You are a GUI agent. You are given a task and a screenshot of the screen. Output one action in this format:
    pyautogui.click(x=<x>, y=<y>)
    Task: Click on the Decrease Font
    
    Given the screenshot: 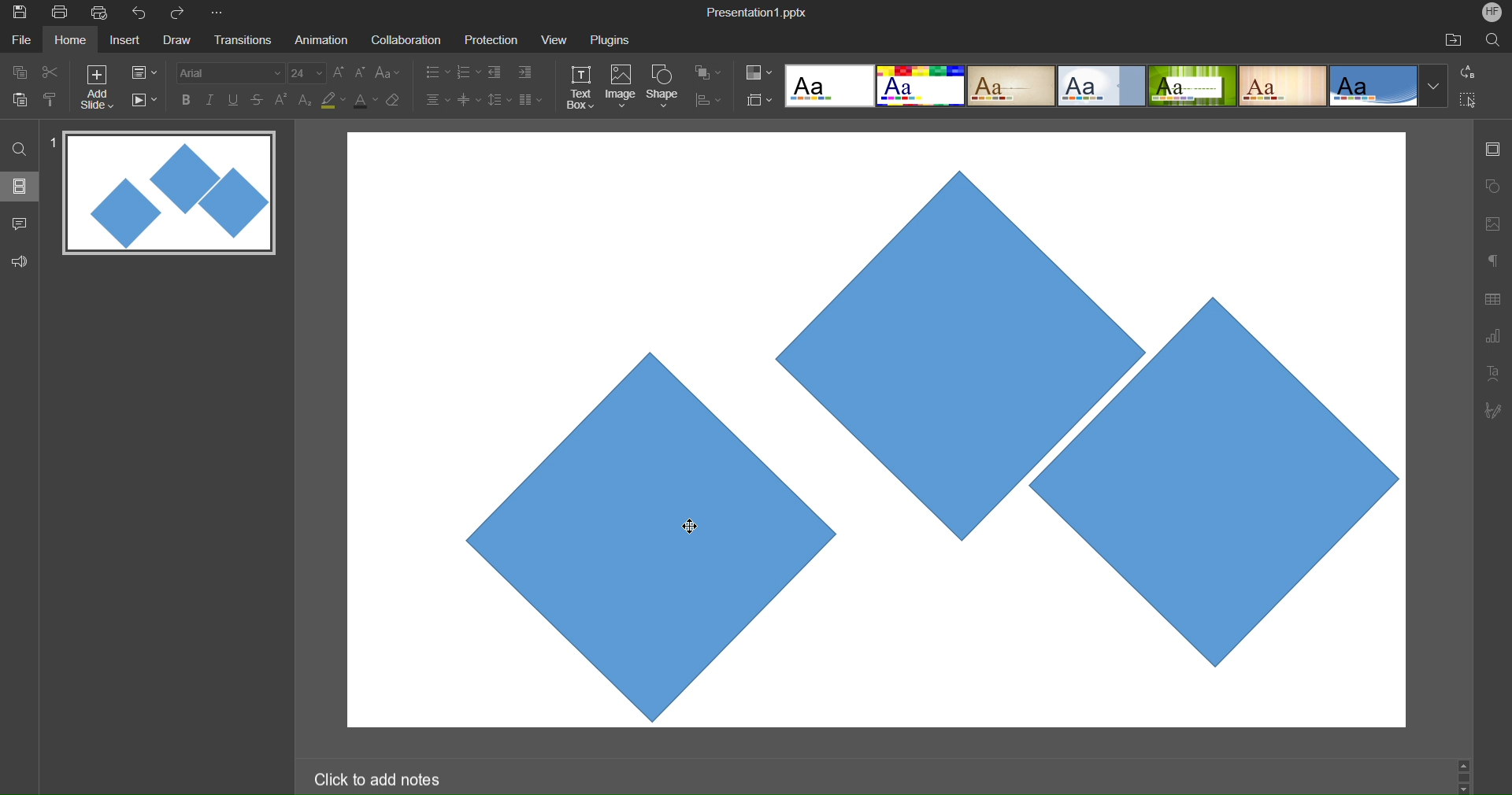 What is the action you would take?
    pyautogui.click(x=361, y=72)
    